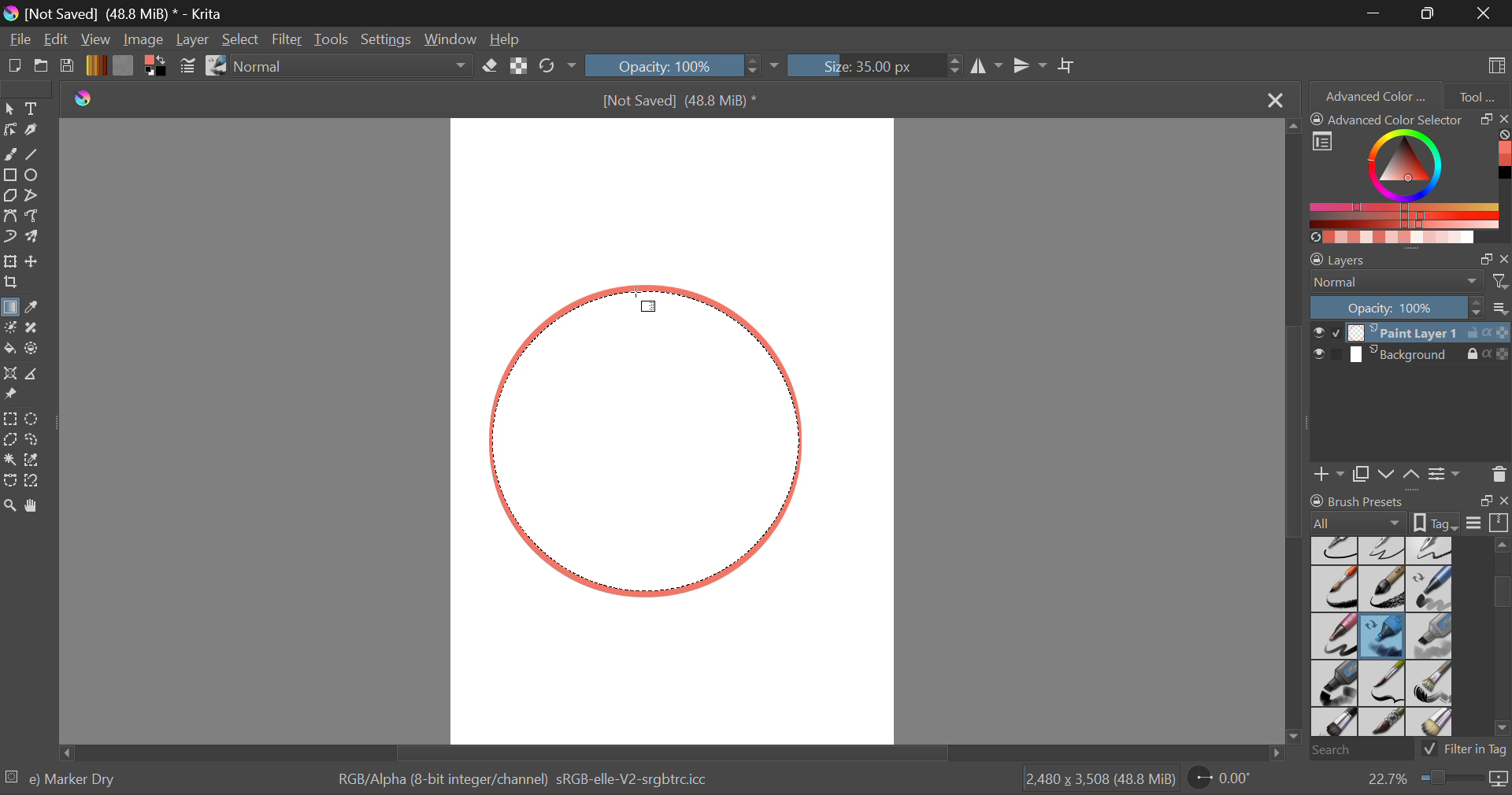 The image size is (1512, 795). I want to click on Marker Plain, so click(1334, 684).